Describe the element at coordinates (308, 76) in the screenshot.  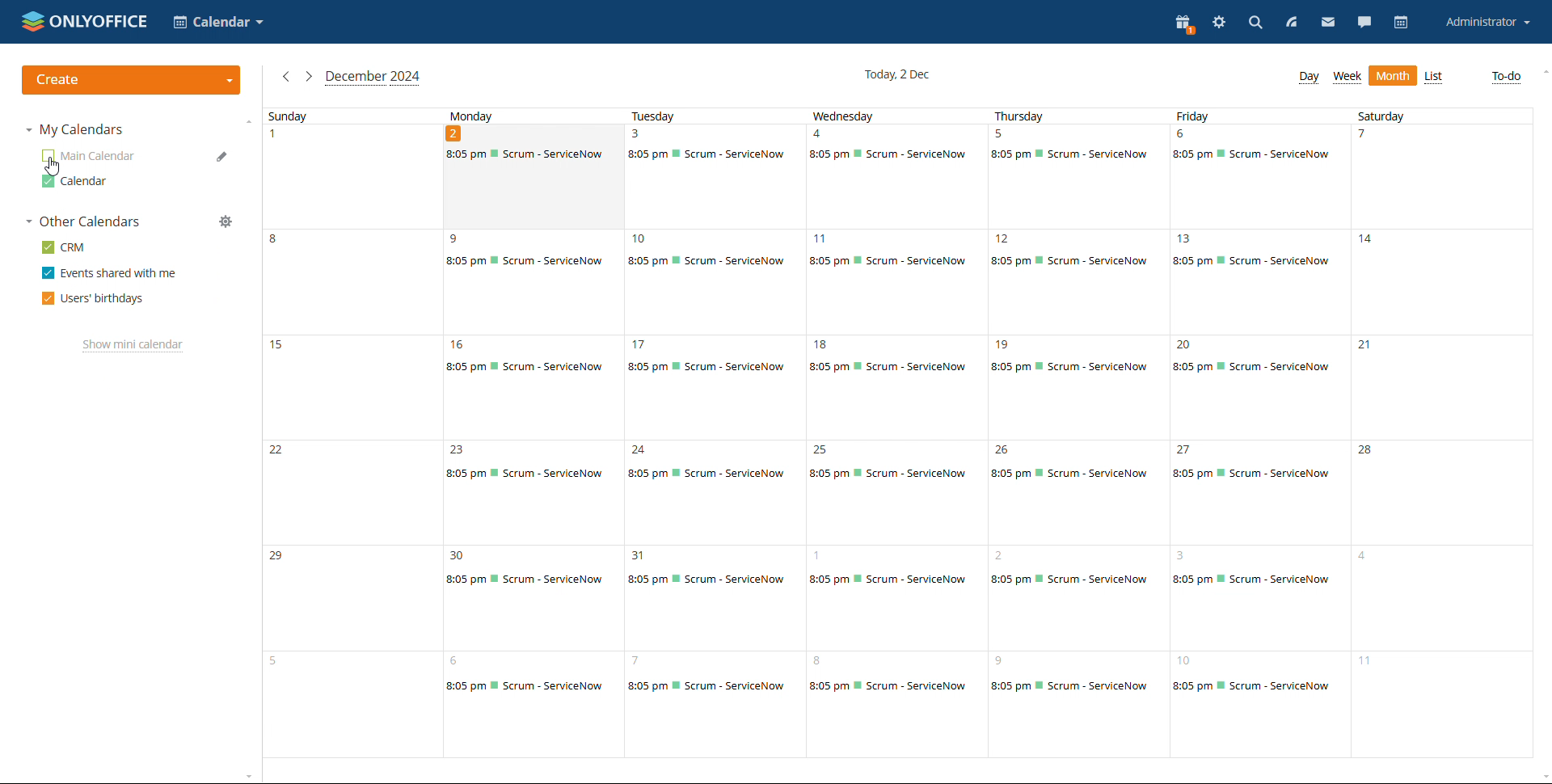
I see `next month` at that location.